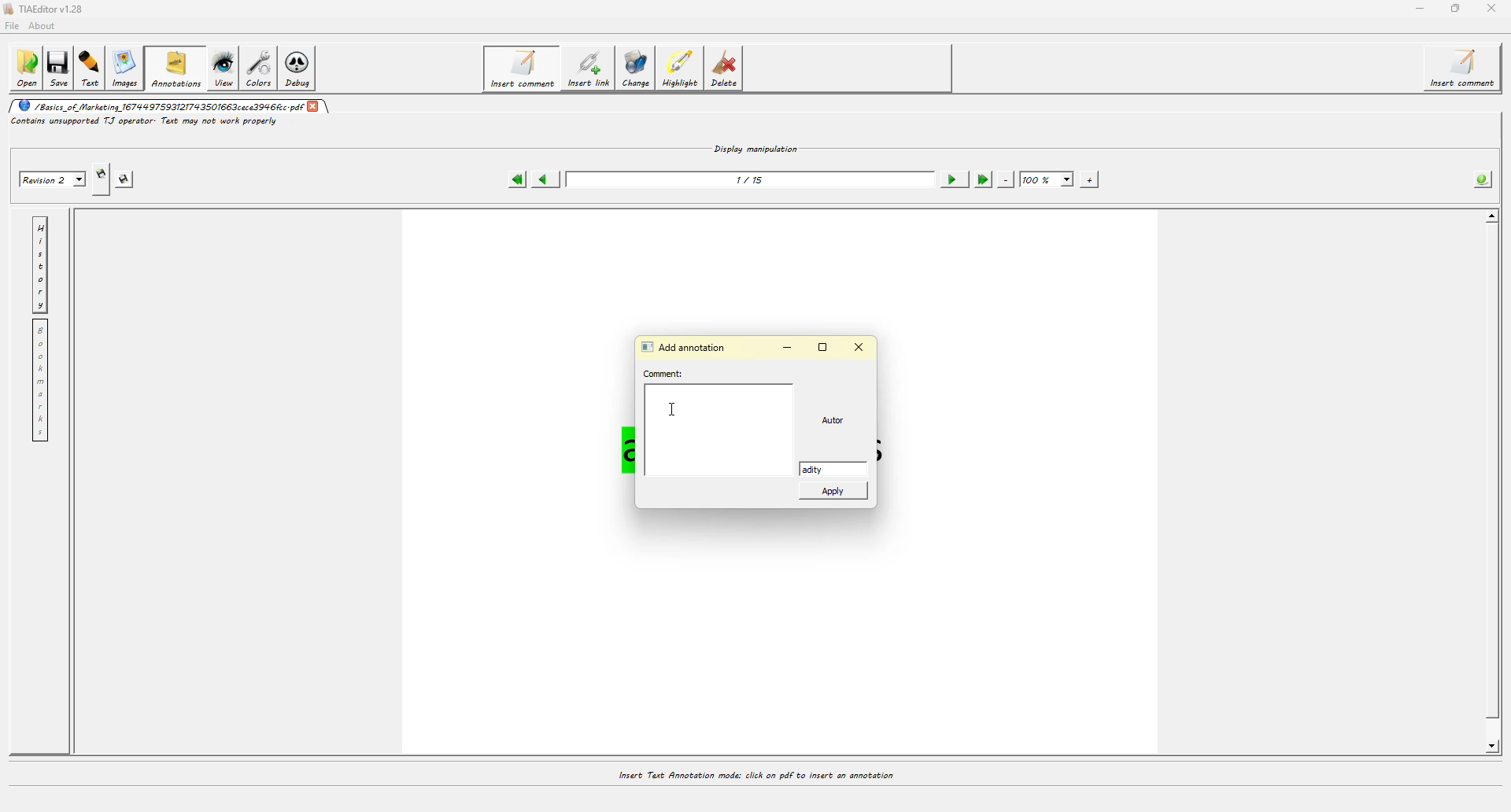  Describe the element at coordinates (687, 345) in the screenshot. I see `add annotation` at that location.